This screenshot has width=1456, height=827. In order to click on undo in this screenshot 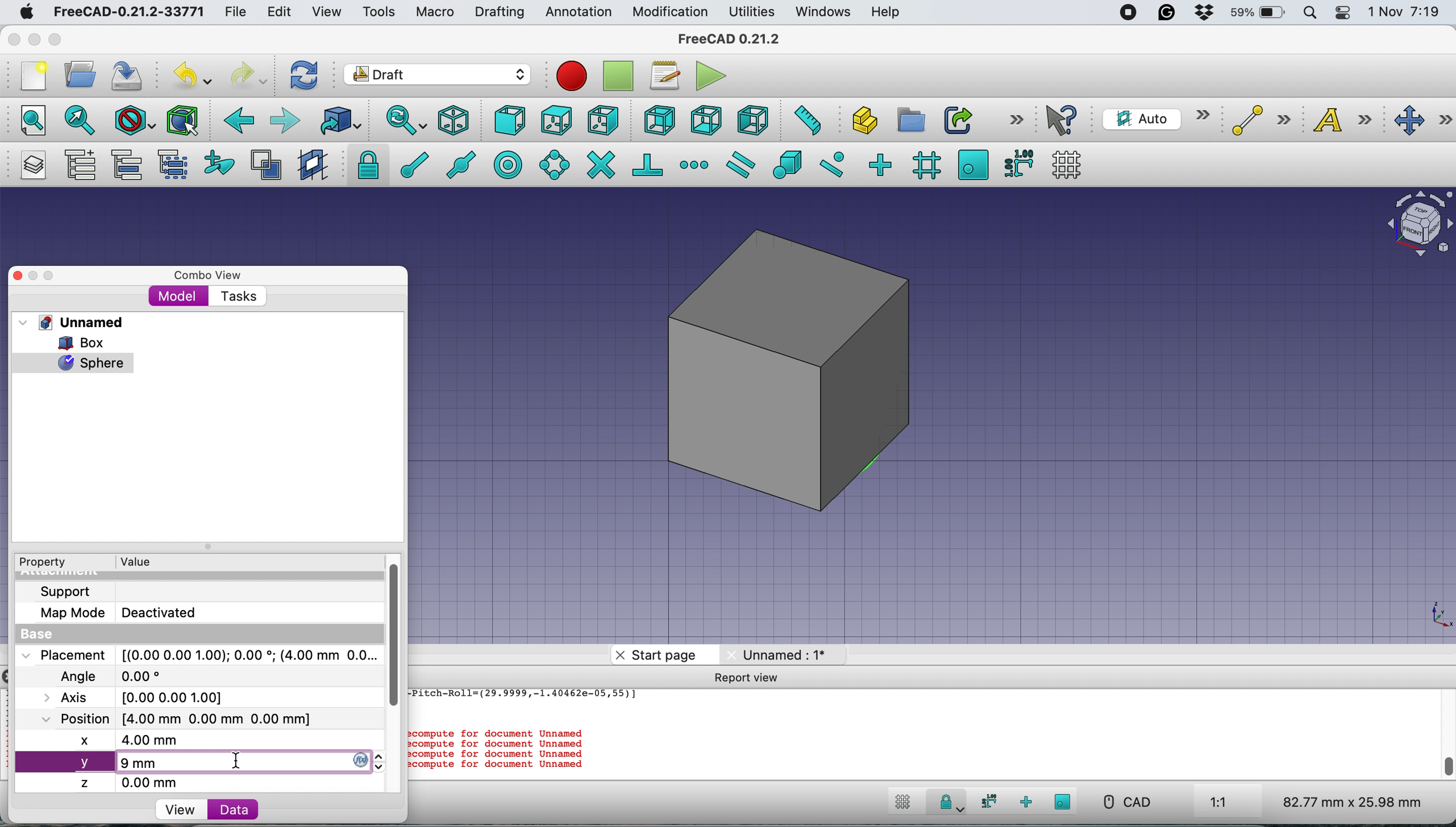, I will do `click(194, 74)`.